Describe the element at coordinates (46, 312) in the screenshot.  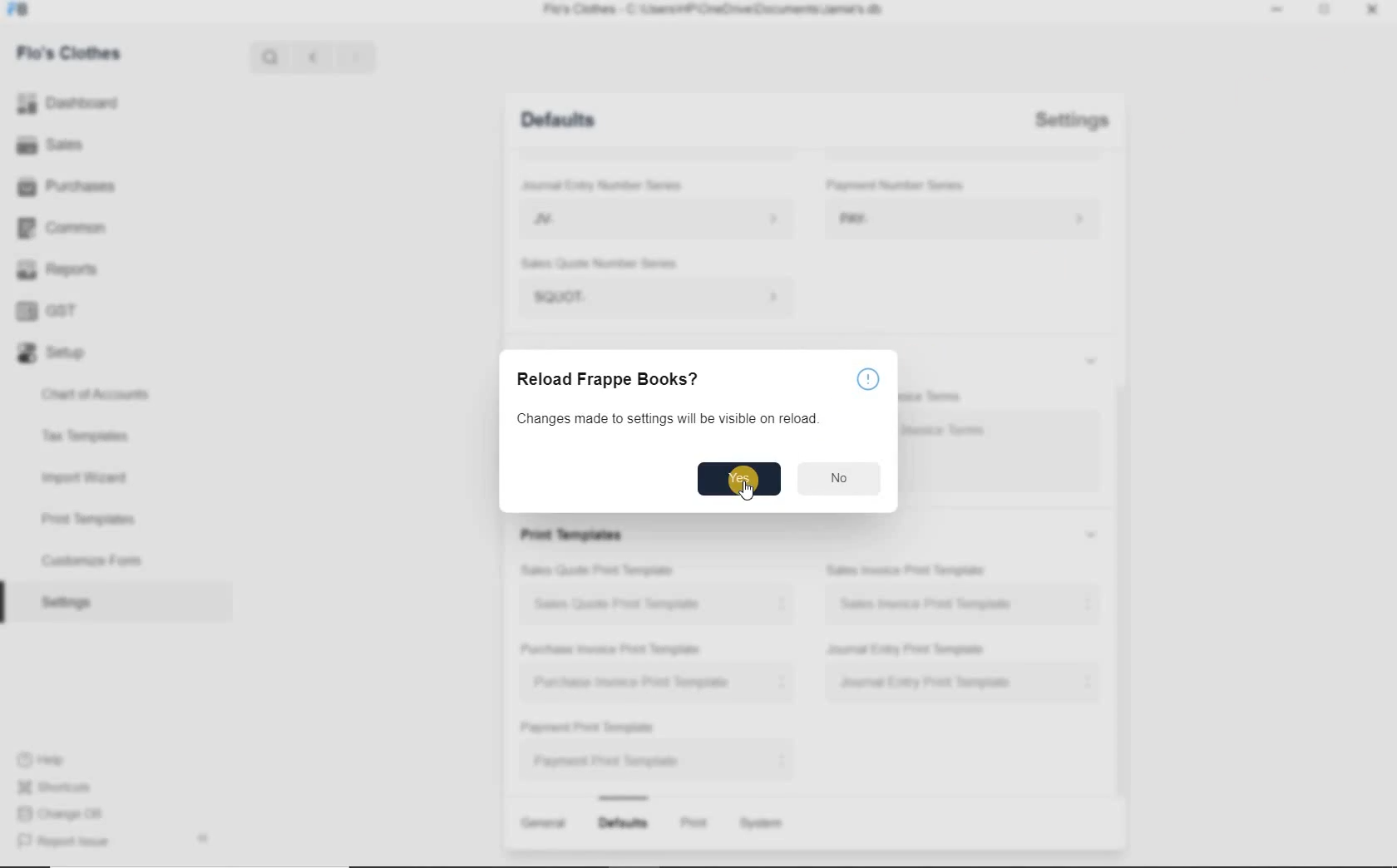
I see `GST` at that location.